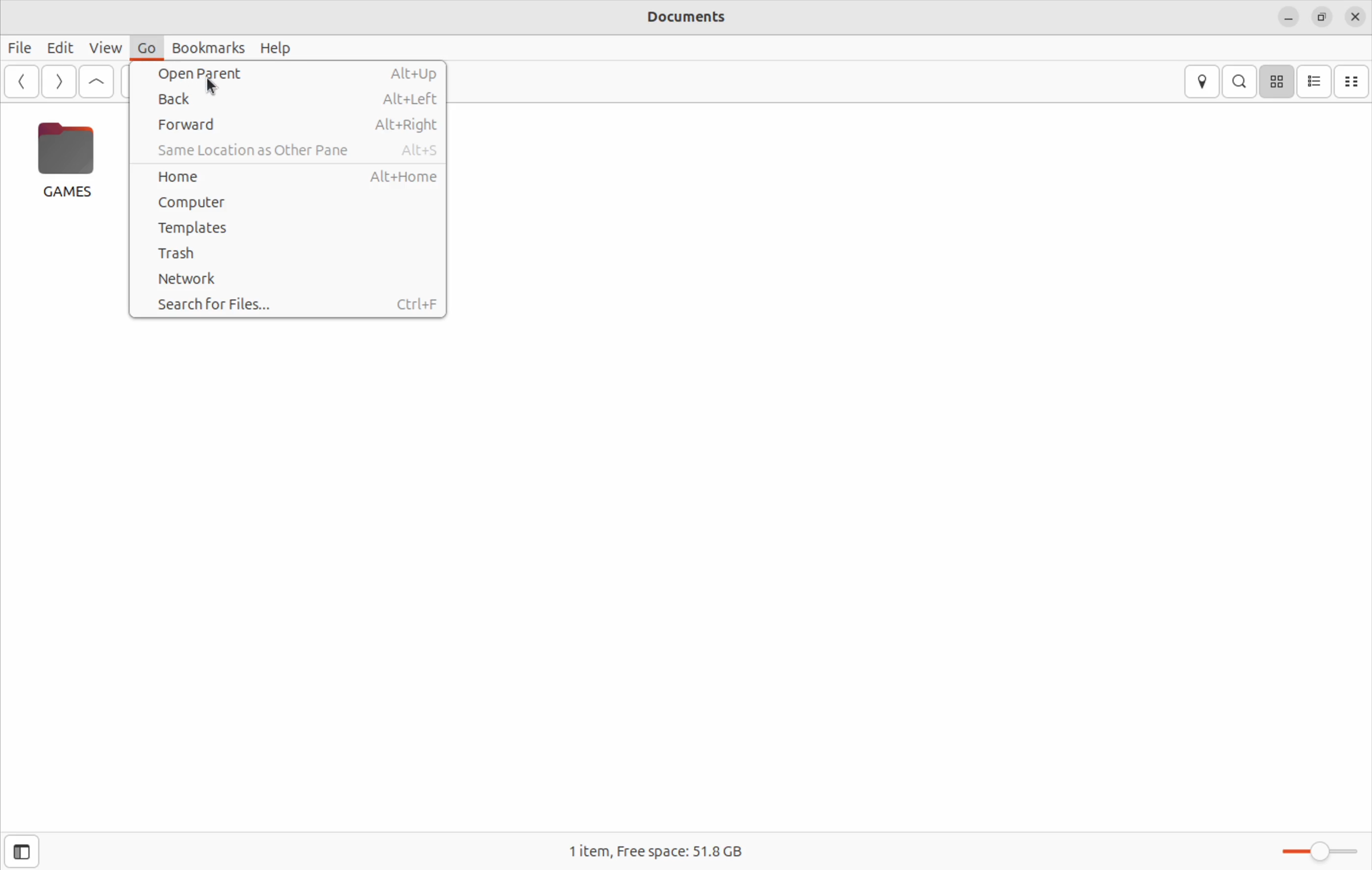 This screenshot has height=870, width=1372. What do you see at coordinates (1316, 80) in the screenshot?
I see `list view` at bounding box center [1316, 80].